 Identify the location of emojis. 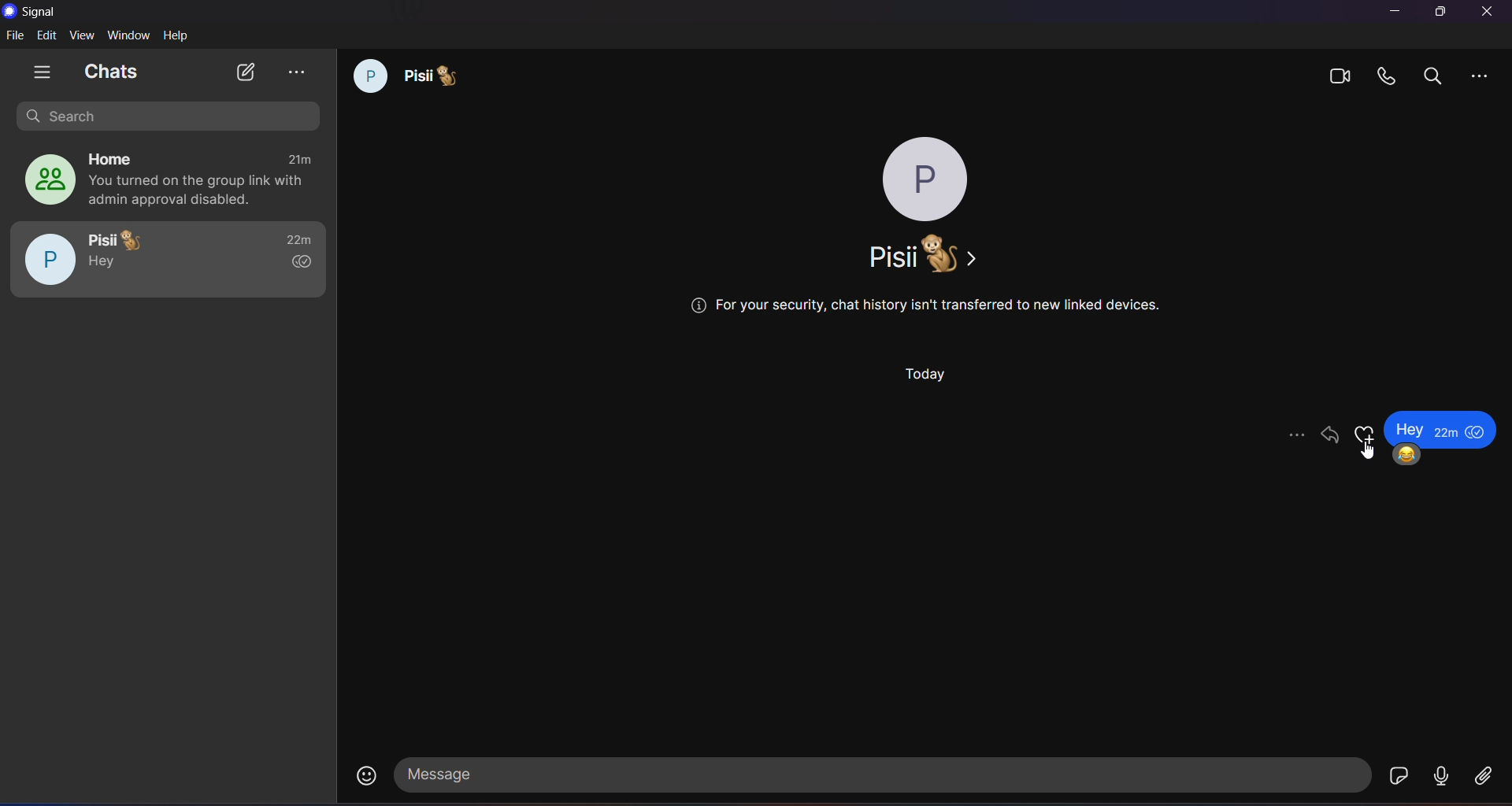
(369, 777).